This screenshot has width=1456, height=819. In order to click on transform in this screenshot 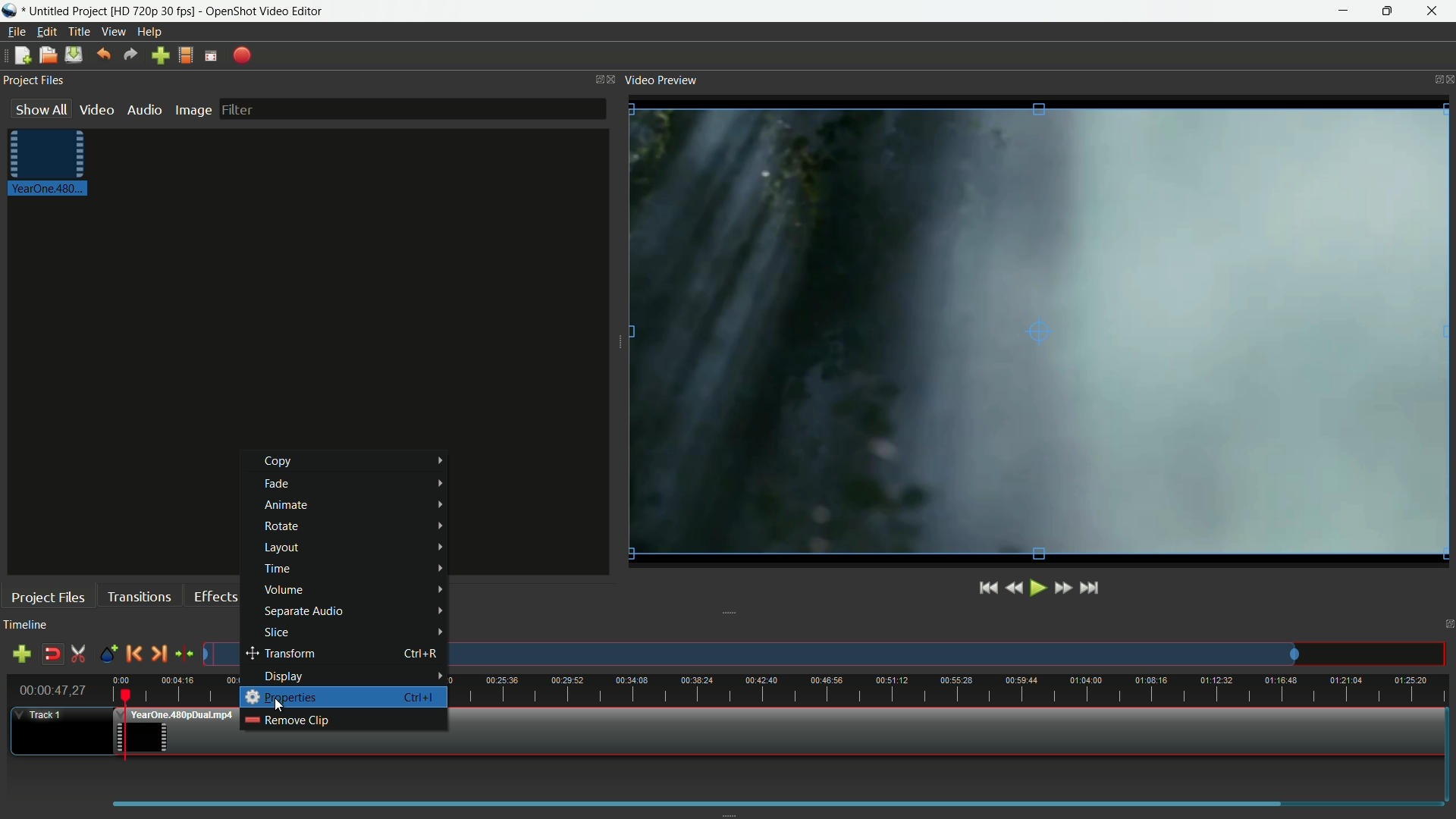, I will do `click(340, 654)`.